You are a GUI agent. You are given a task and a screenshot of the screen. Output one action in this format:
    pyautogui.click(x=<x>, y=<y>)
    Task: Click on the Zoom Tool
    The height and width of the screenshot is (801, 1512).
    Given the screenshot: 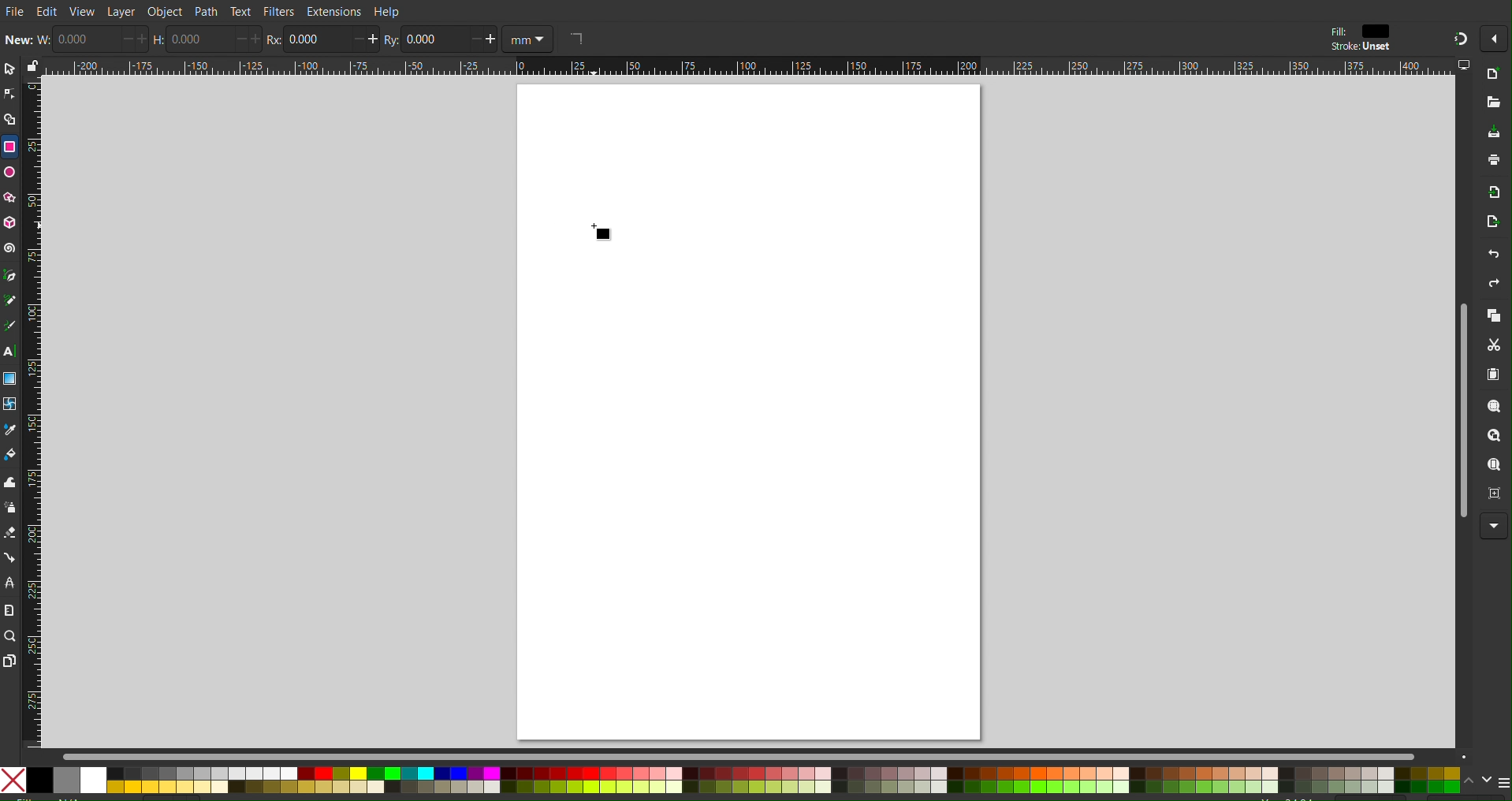 What is the action you would take?
    pyautogui.click(x=9, y=635)
    